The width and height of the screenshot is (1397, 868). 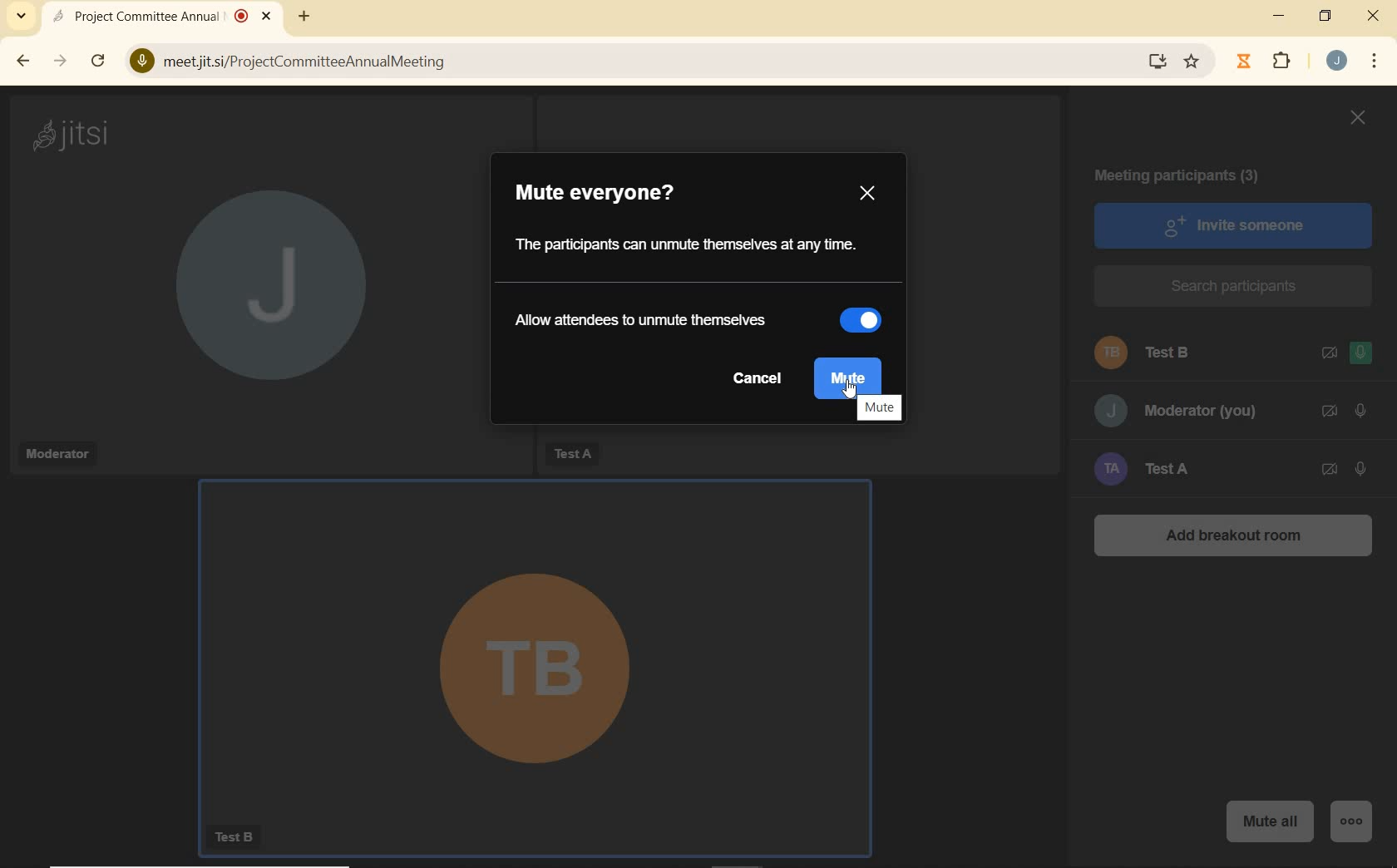 I want to click on PARTICIPANT B, so click(x=1154, y=354).